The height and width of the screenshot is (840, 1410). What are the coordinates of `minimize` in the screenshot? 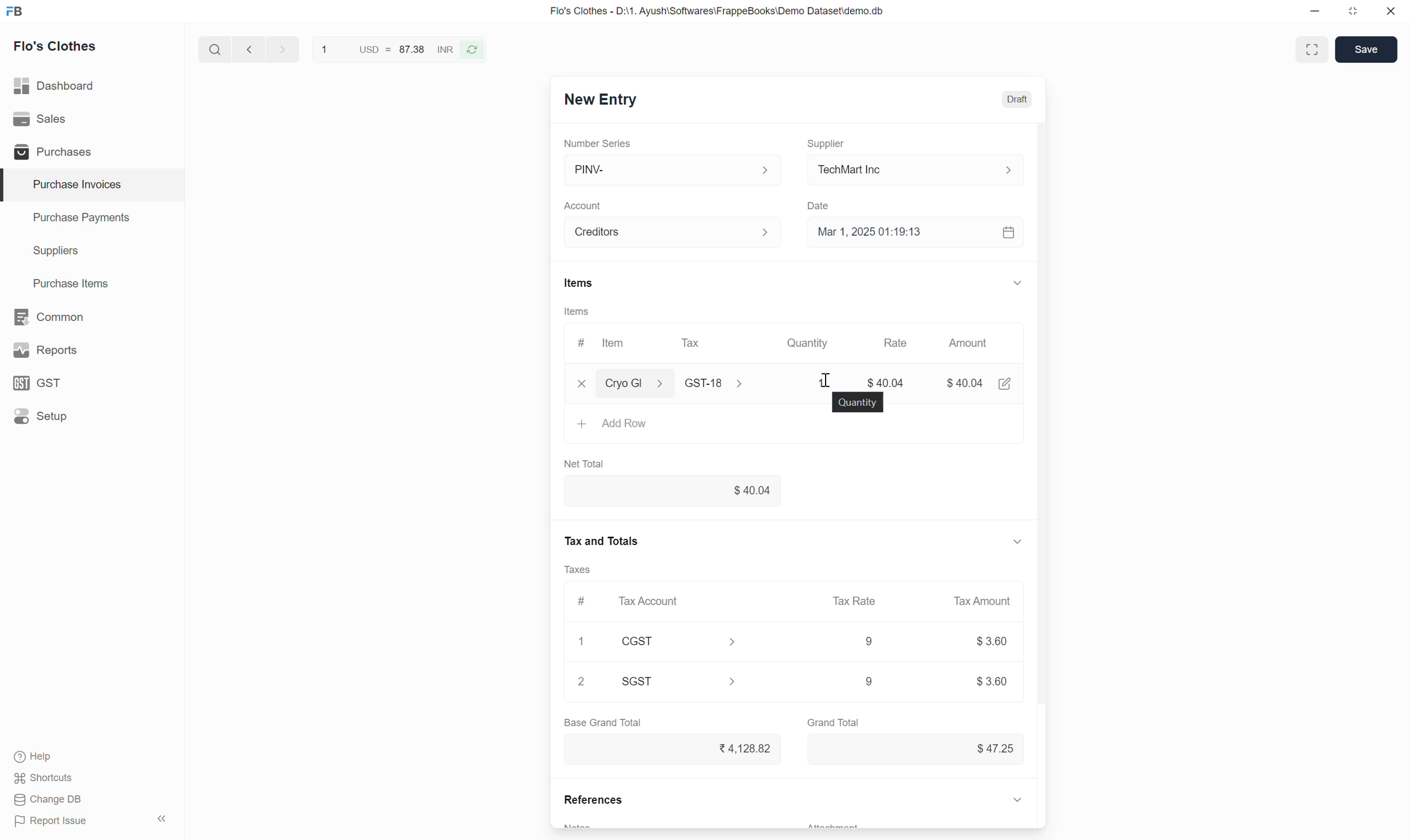 It's located at (1315, 14).